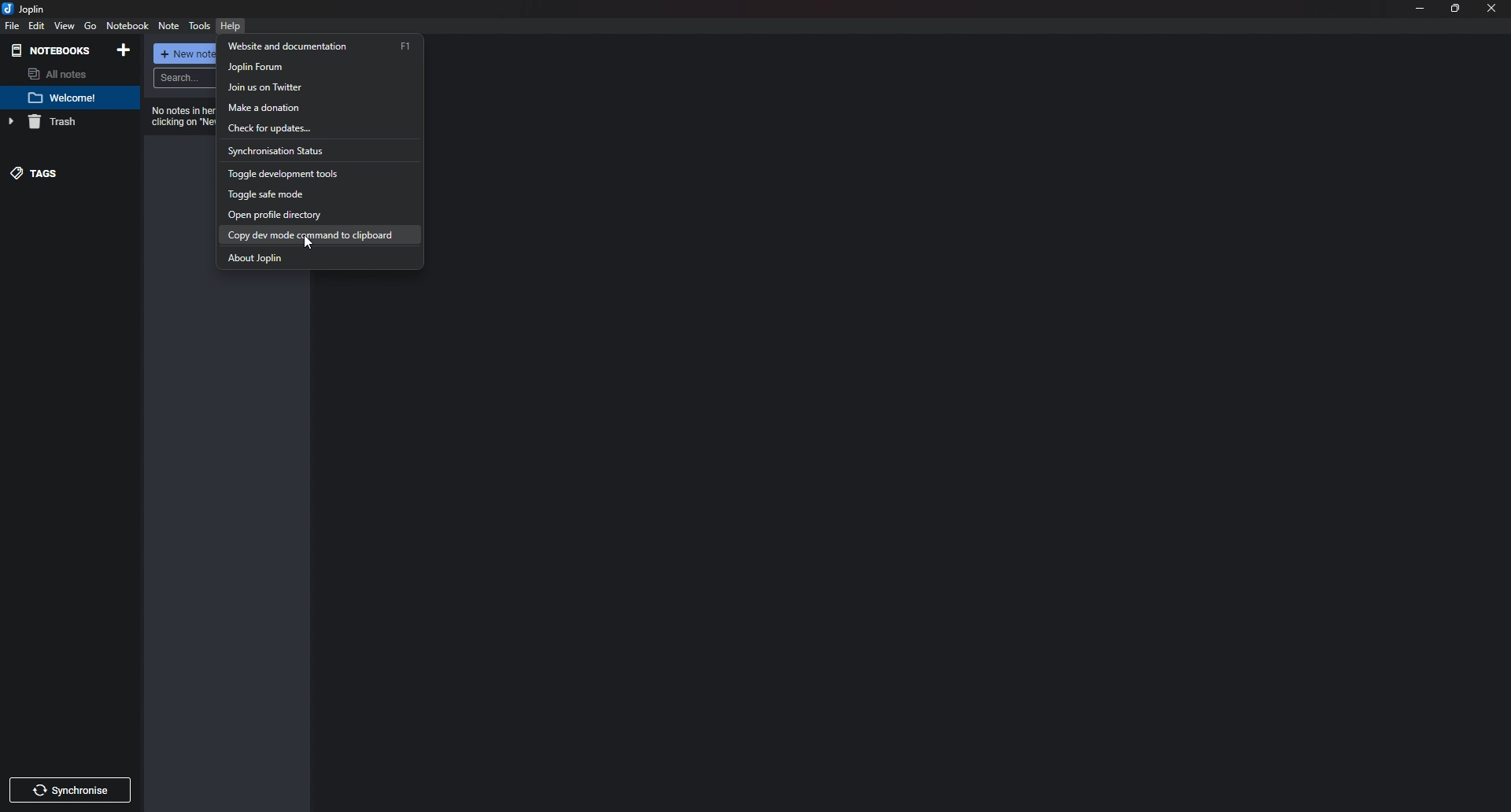 This screenshot has height=812, width=1511. What do you see at coordinates (64, 74) in the screenshot?
I see `All notes` at bounding box center [64, 74].